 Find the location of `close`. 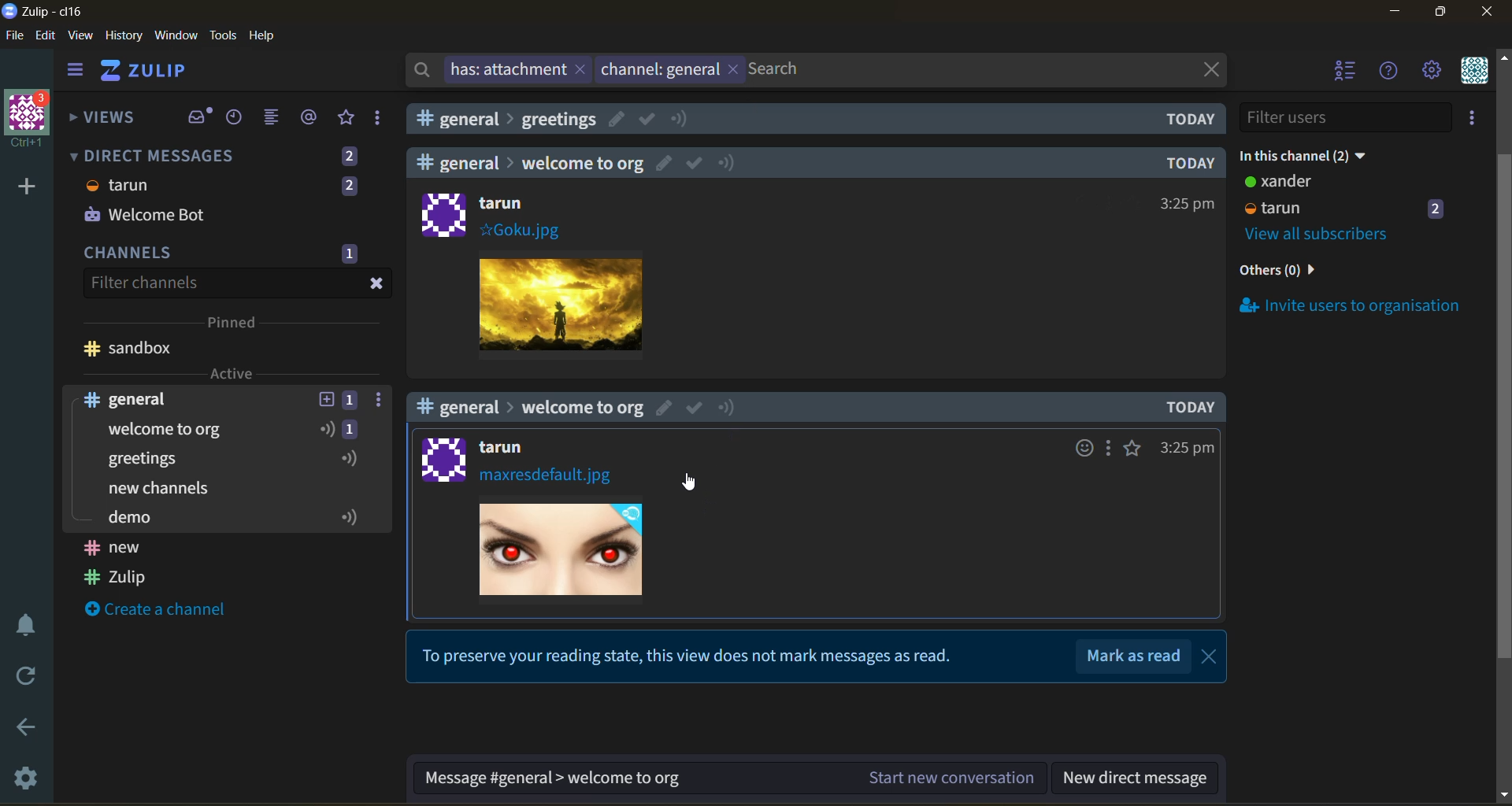

close is located at coordinates (1212, 656).